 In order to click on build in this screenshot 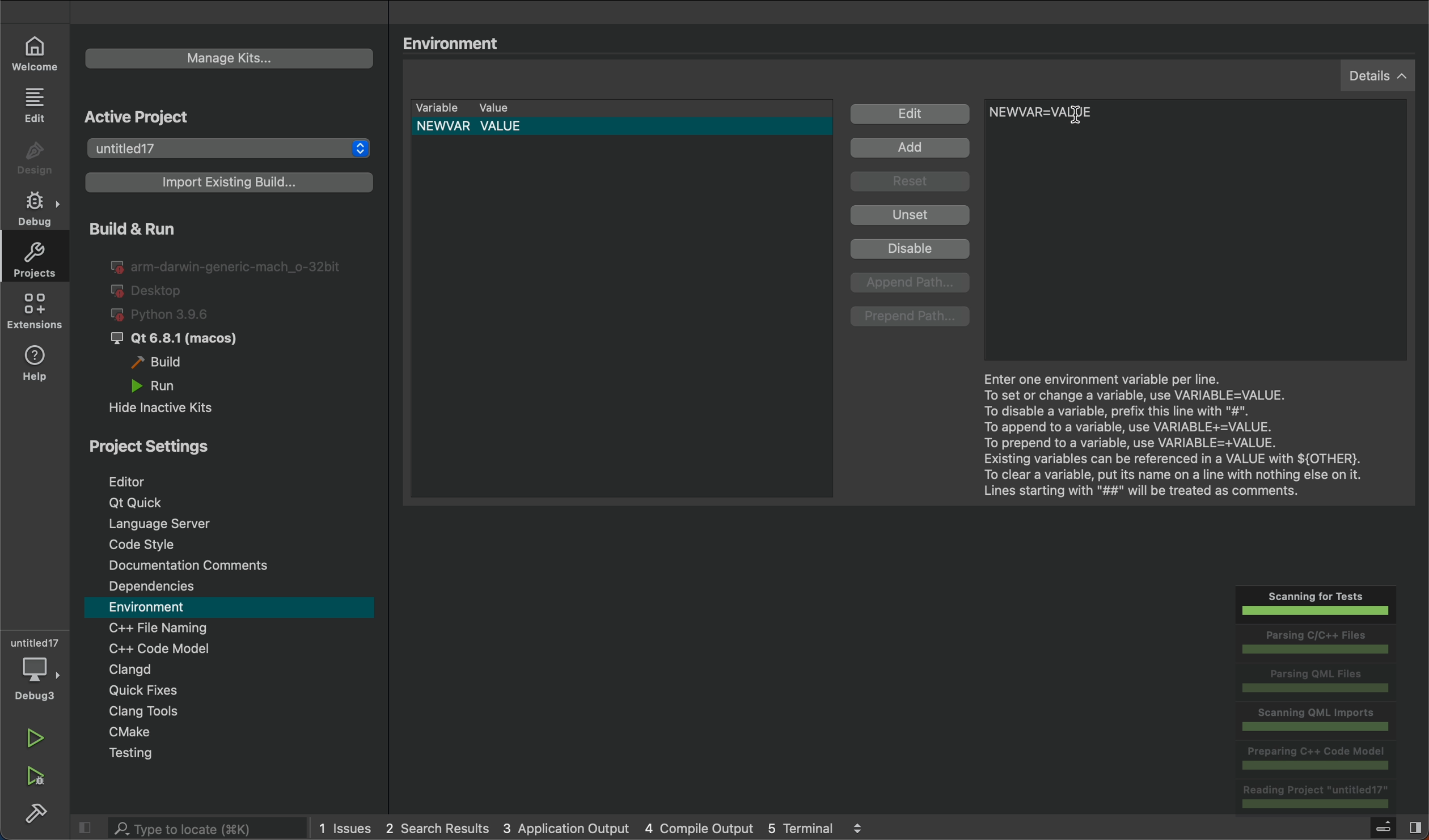, I will do `click(166, 363)`.